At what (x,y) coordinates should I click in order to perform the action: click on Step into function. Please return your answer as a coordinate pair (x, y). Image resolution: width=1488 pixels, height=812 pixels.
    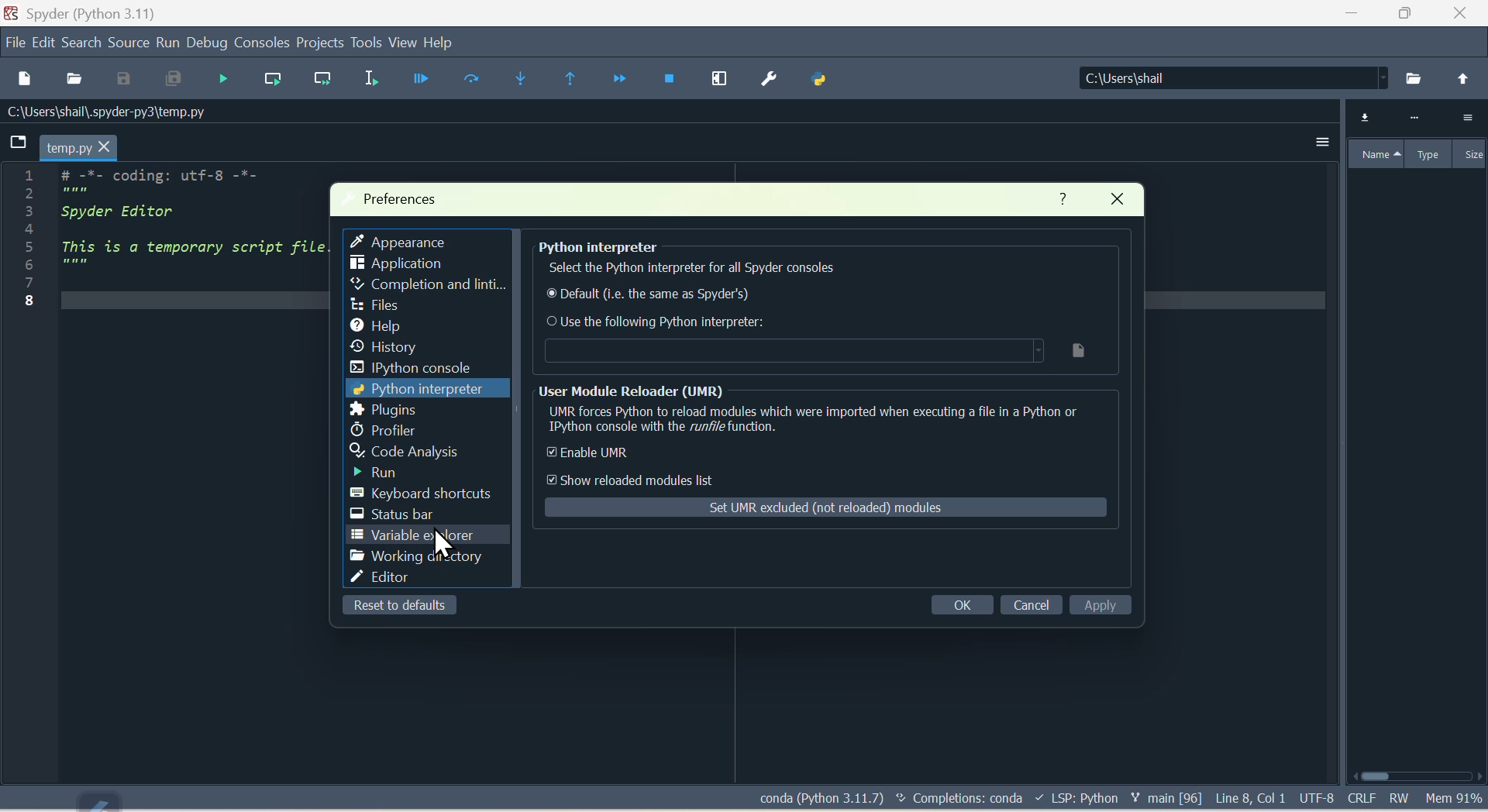
    Looking at the image, I should click on (517, 75).